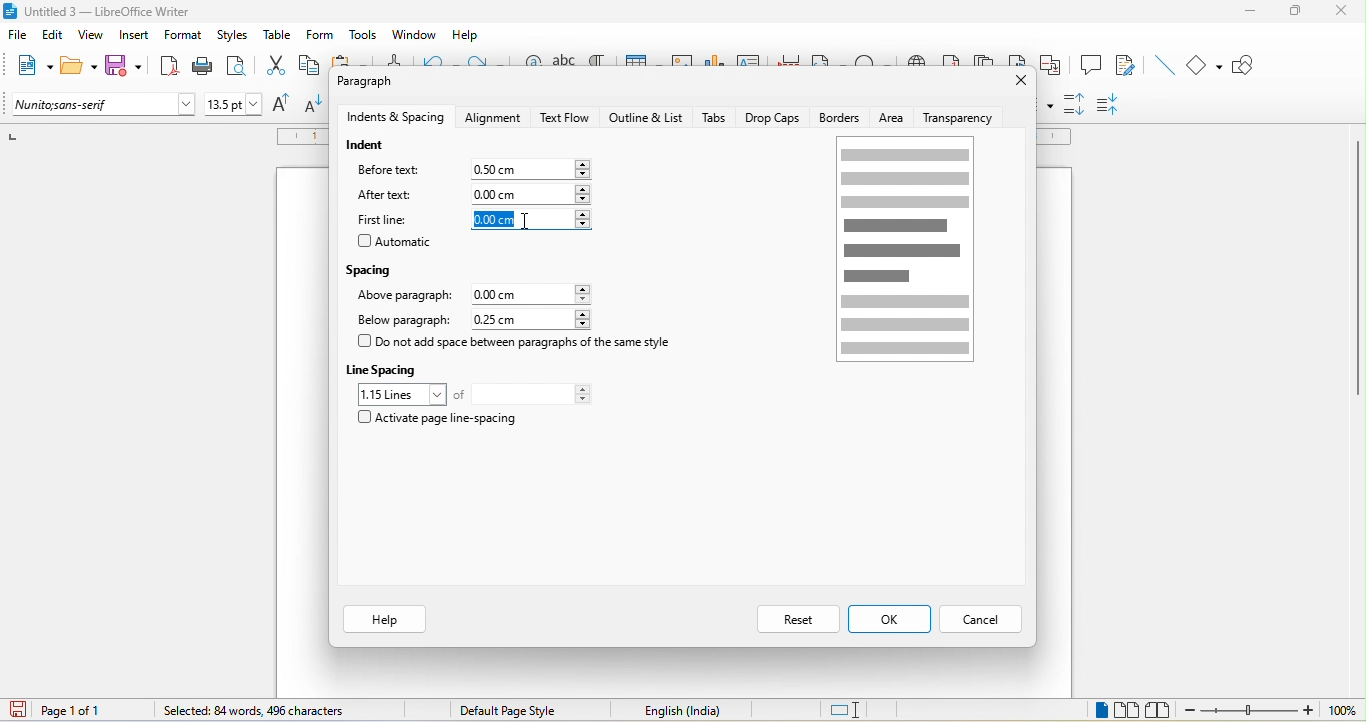 The height and width of the screenshot is (722, 1366). Describe the element at coordinates (406, 244) in the screenshot. I see `automatic` at that location.